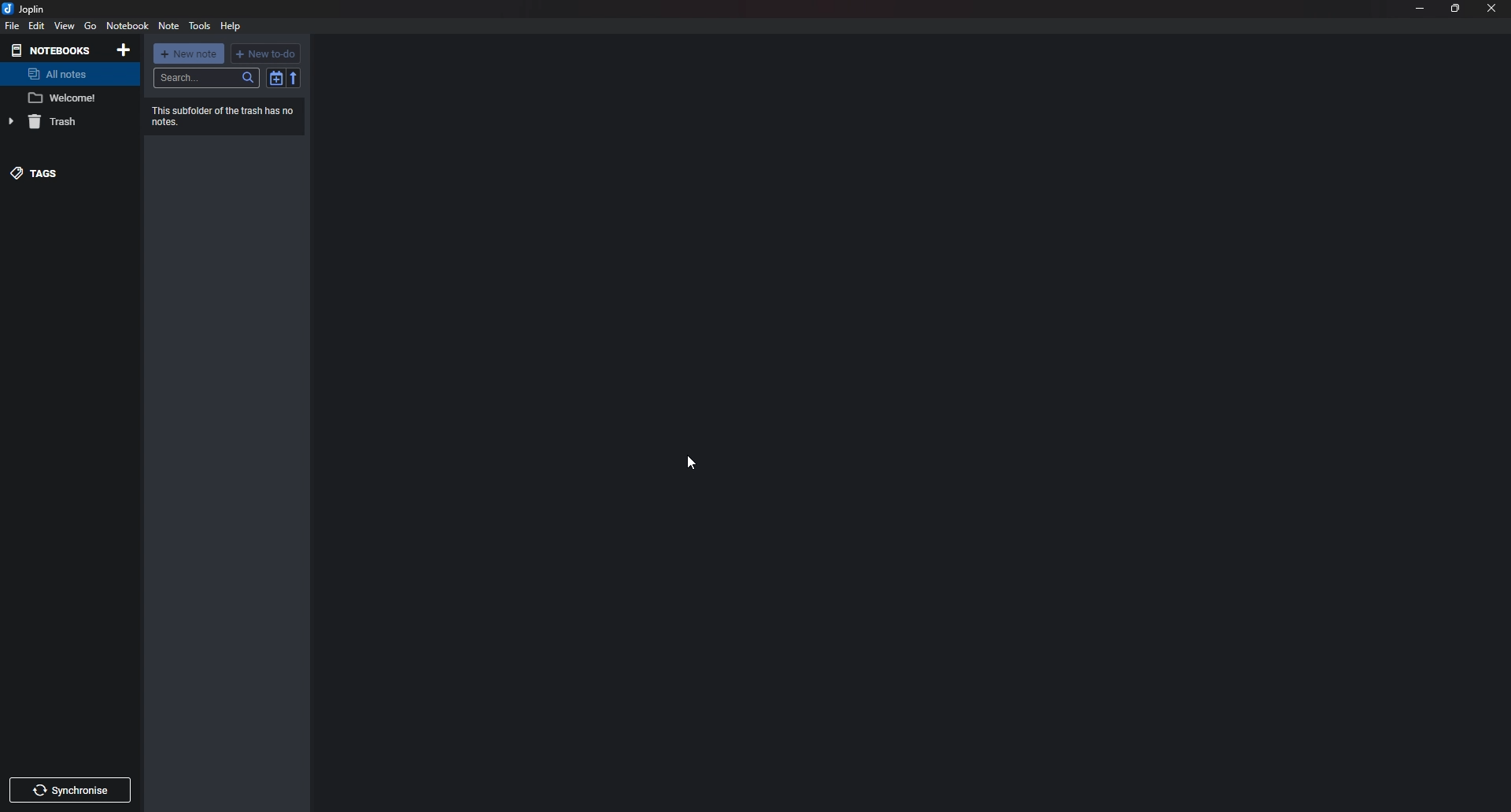 The height and width of the screenshot is (812, 1511). I want to click on Resize, so click(1455, 8).